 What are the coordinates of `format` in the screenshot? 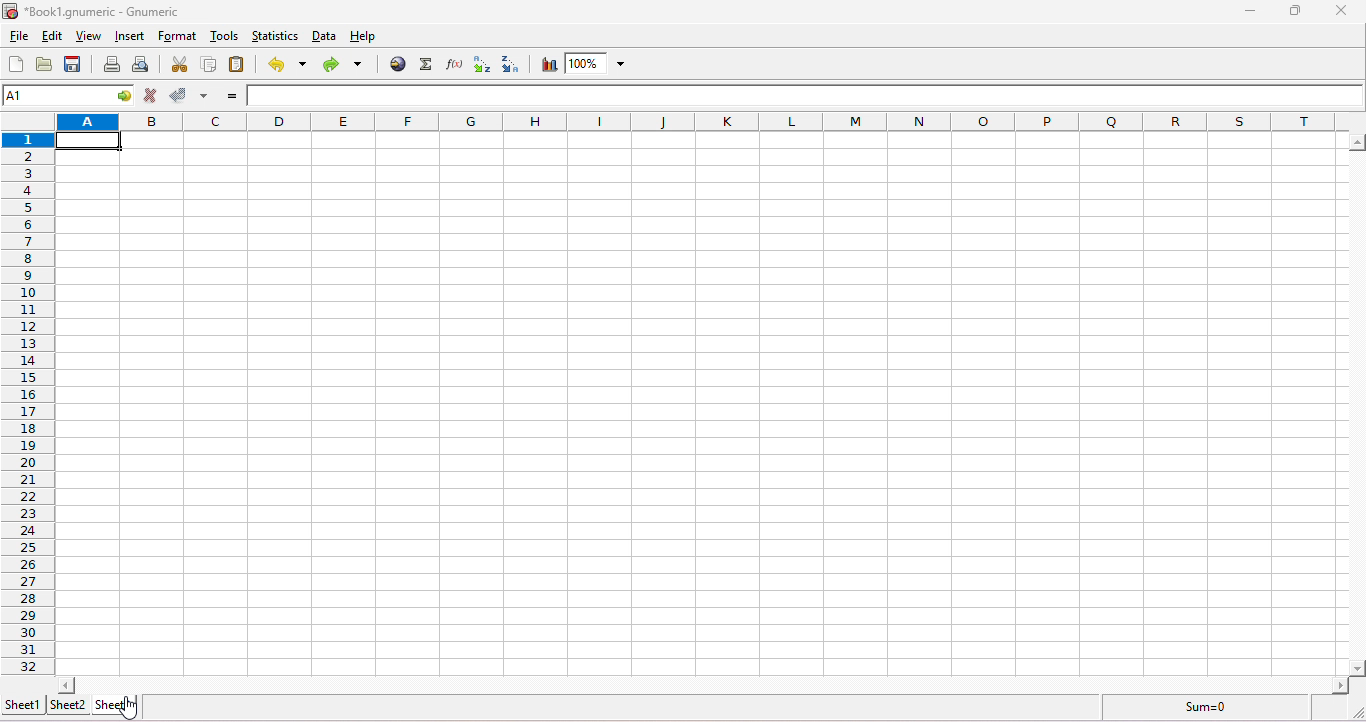 It's located at (178, 36).